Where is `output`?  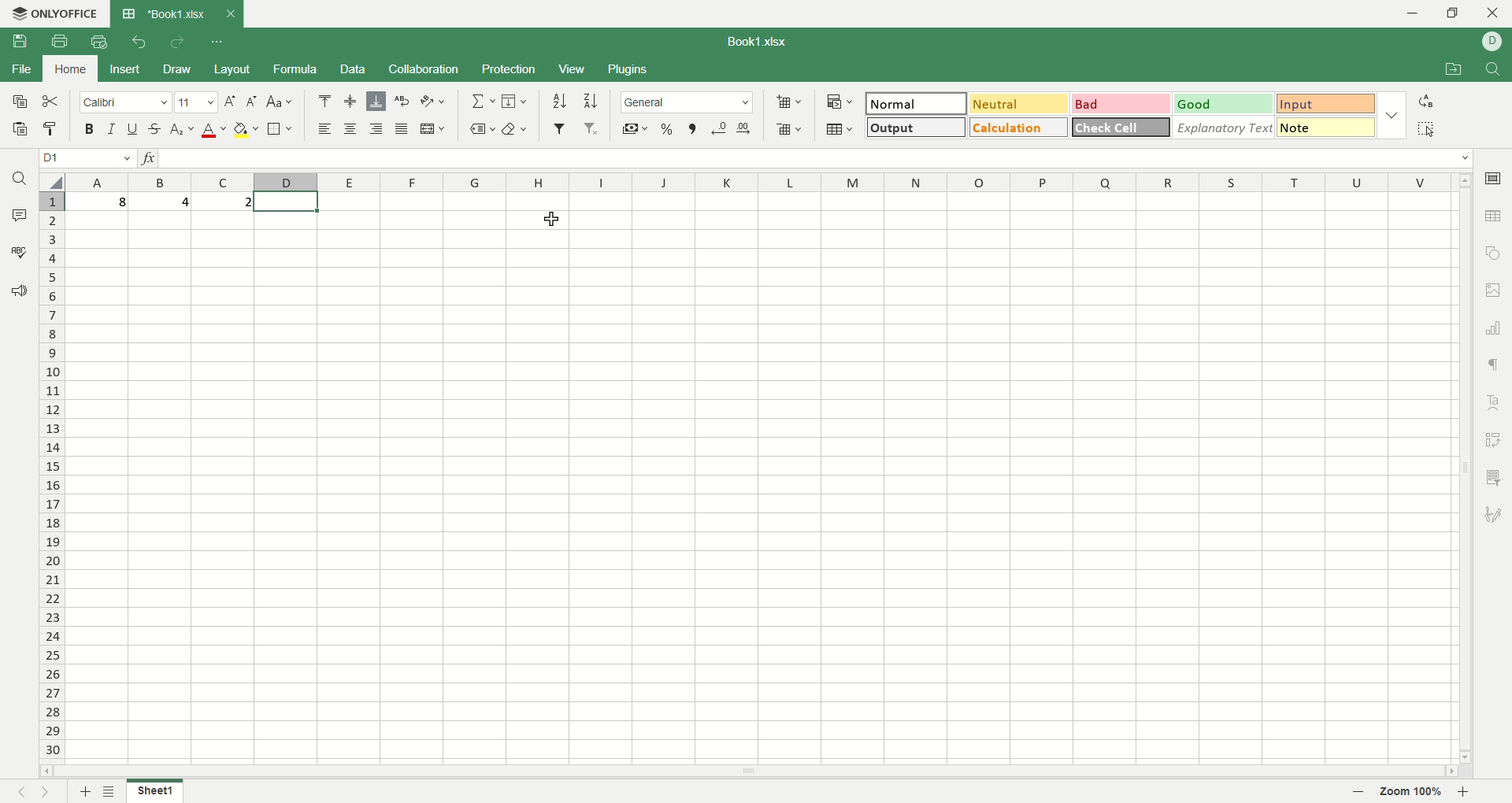 output is located at coordinates (917, 128).